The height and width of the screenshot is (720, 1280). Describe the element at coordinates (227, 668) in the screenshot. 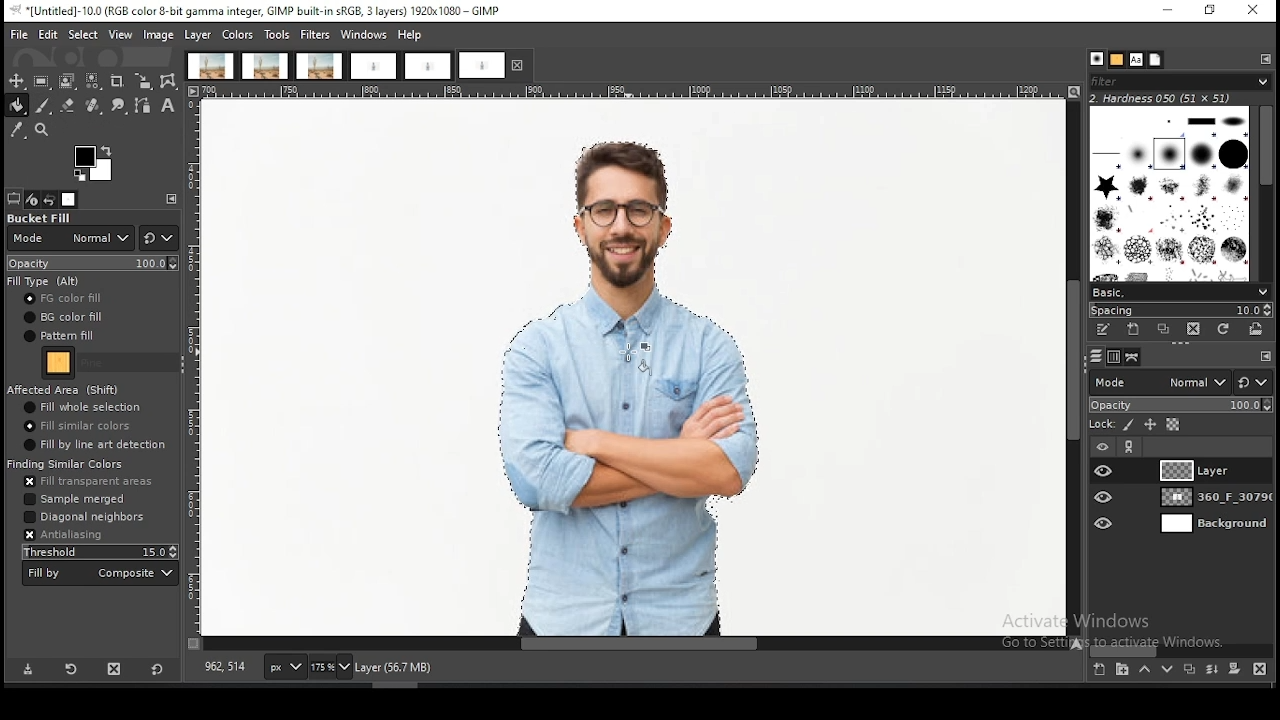

I see `775, 465` at that location.